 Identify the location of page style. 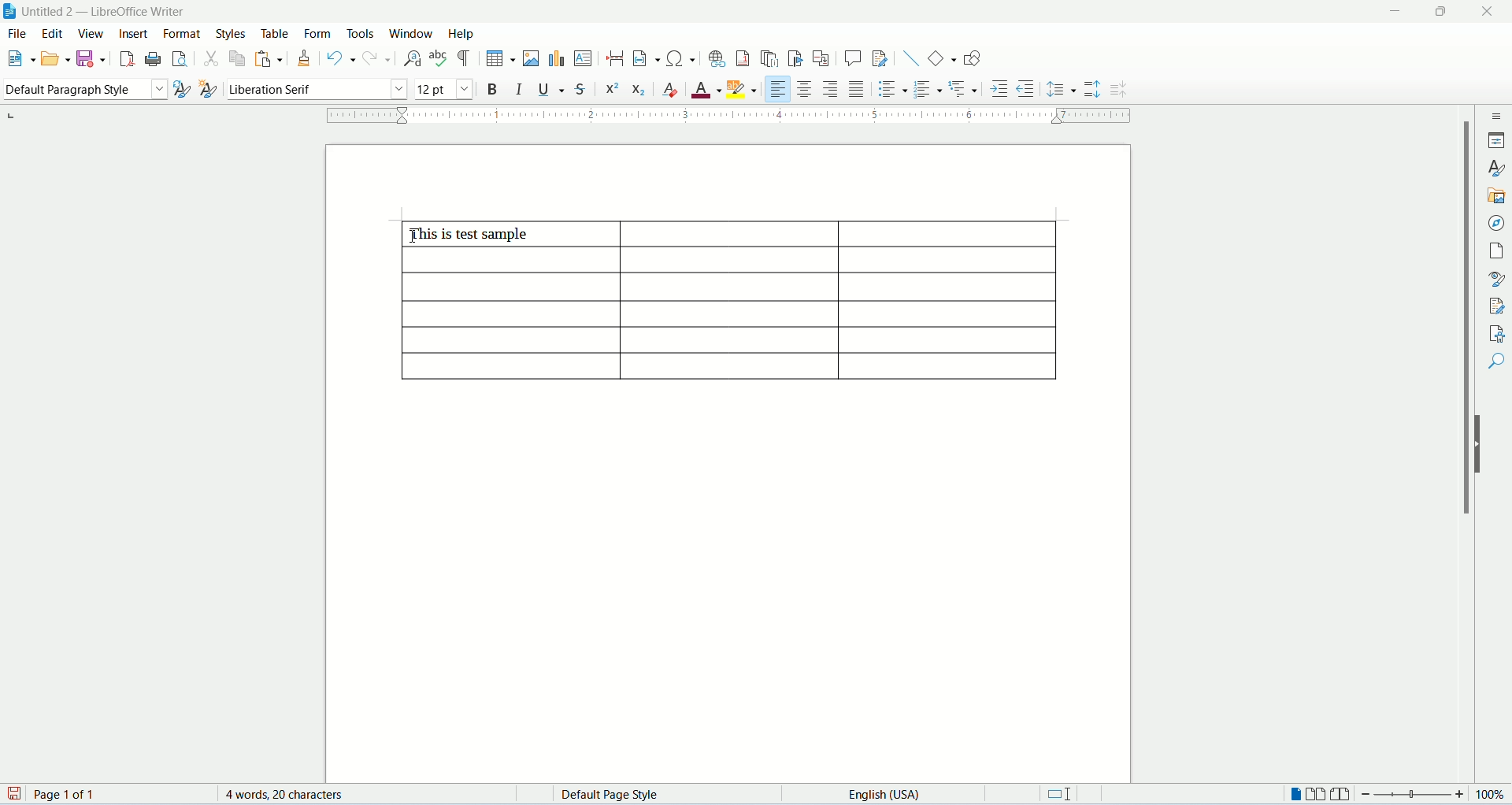
(621, 796).